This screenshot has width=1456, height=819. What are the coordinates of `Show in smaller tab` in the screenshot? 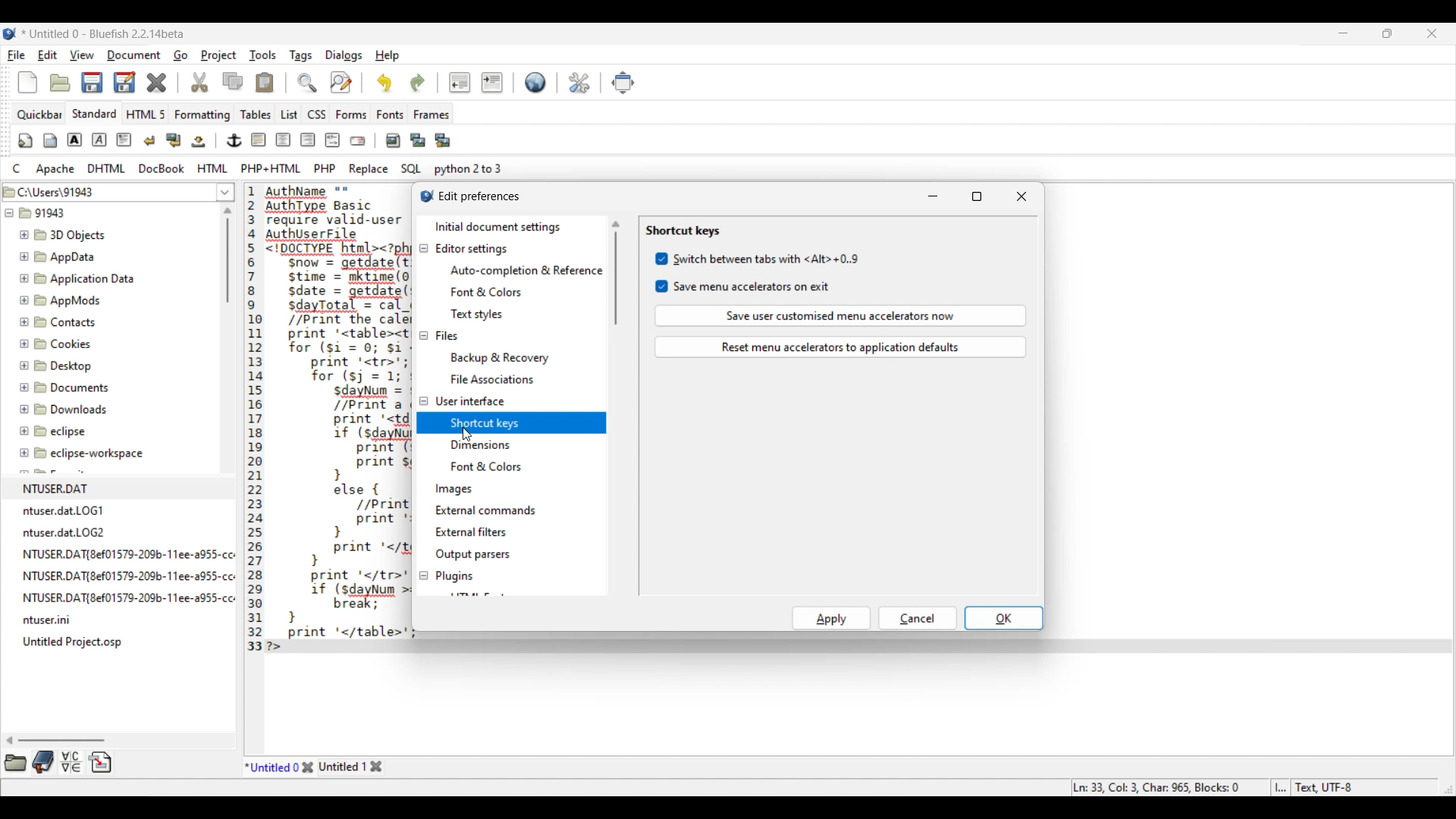 It's located at (1387, 33).